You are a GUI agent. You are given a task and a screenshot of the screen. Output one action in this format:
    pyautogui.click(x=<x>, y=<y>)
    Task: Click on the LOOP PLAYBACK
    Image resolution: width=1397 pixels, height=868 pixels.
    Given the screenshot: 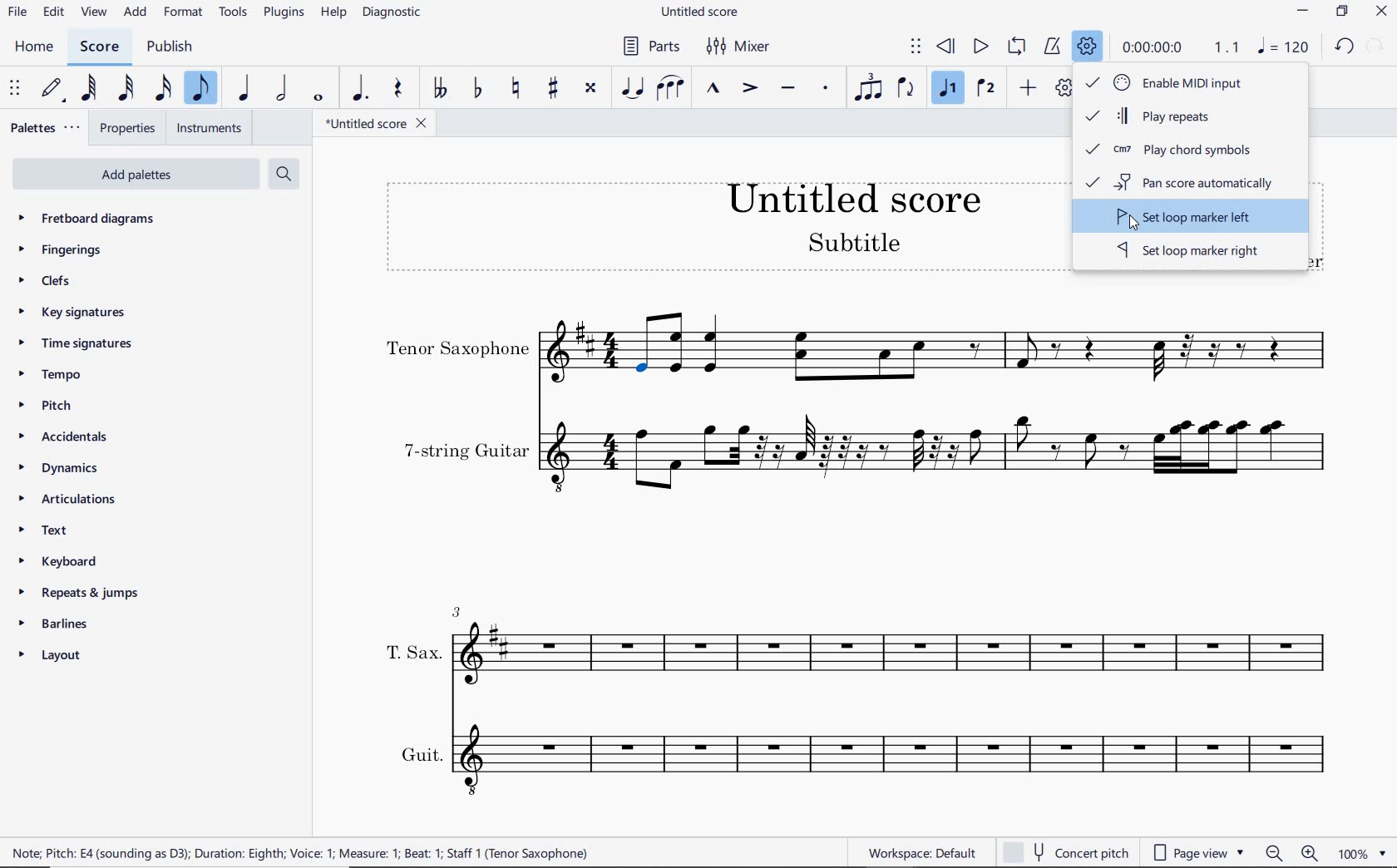 What is the action you would take?
    pyautogui.click(x=1016, y=45)
    